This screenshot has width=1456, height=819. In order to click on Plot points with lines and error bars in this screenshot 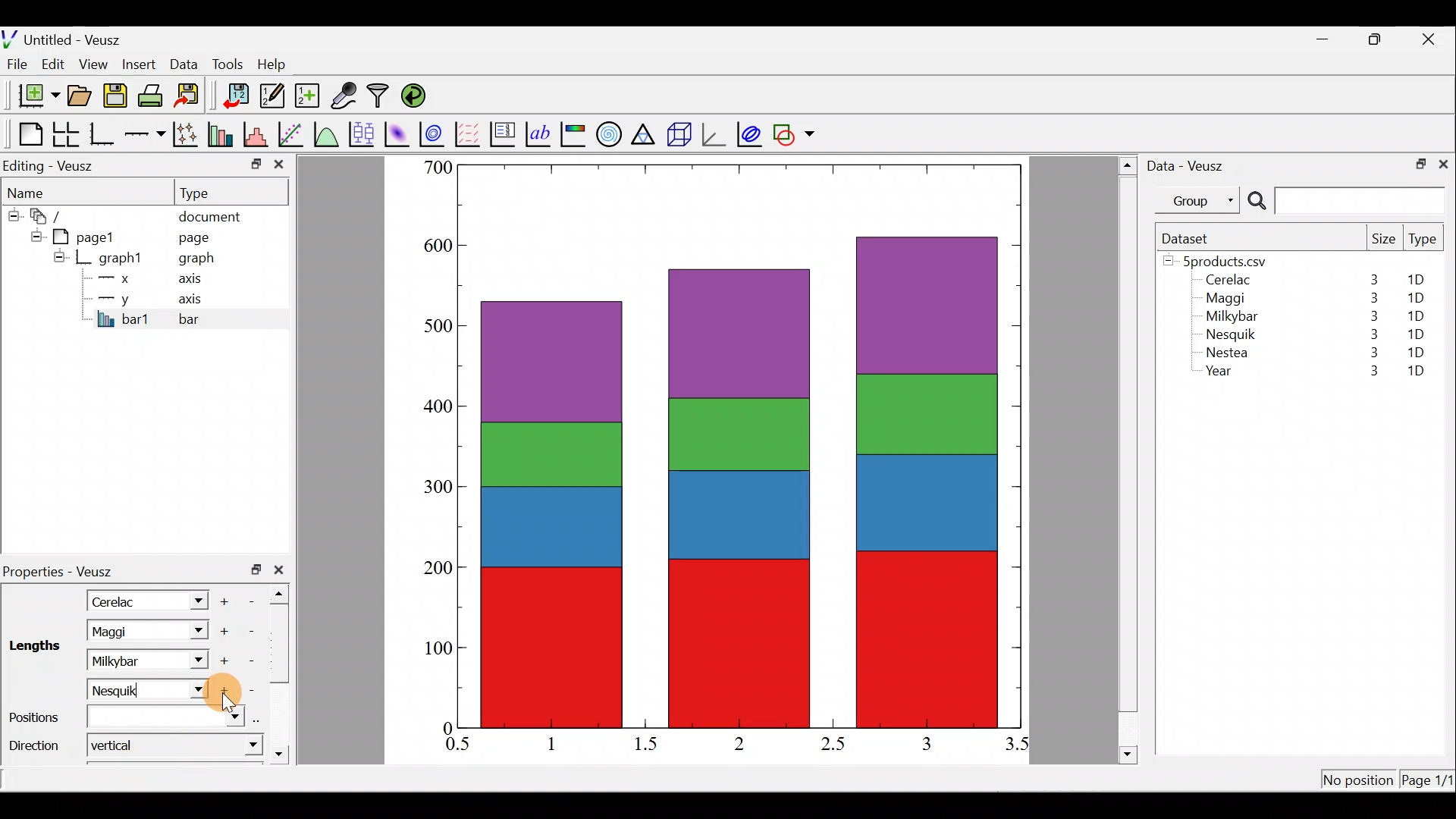, I will do `click(188, 135)`.